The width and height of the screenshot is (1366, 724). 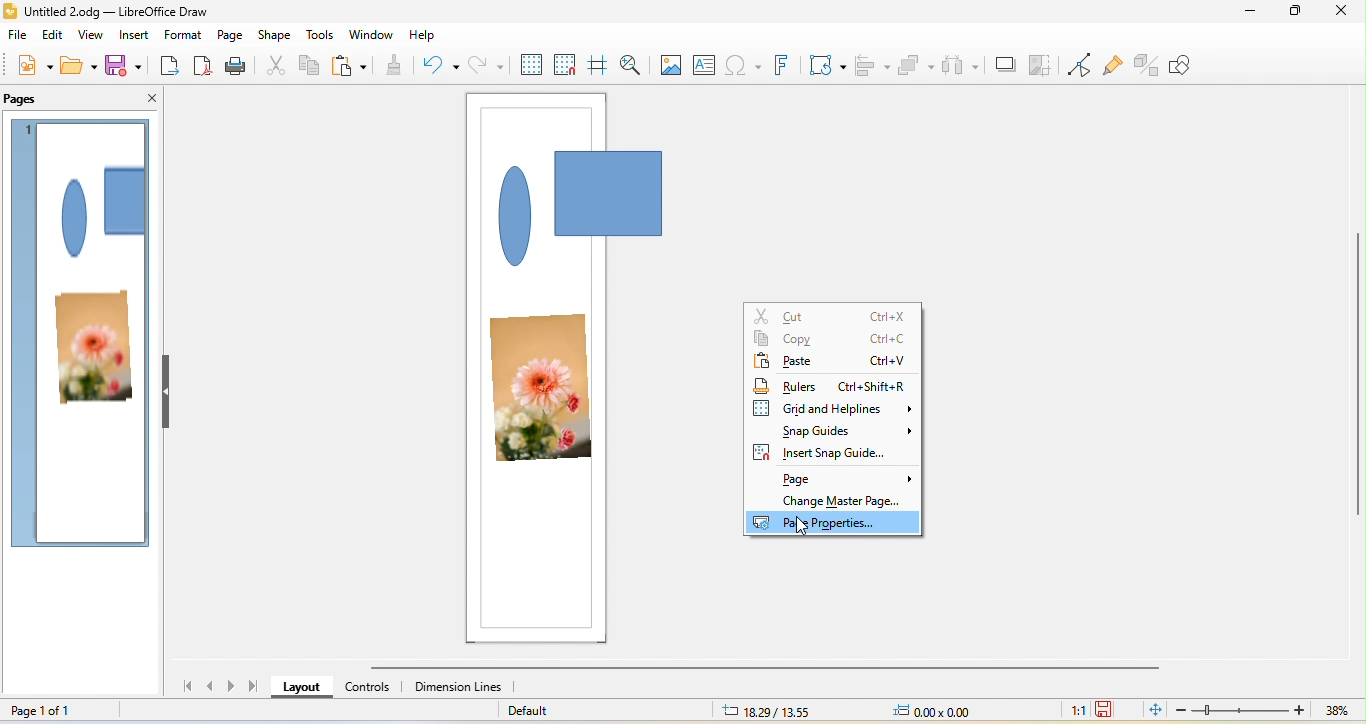 What do you see at coordinates (829, 362) in the screenshot?
I see `paste` at bounding box center [829, 362].